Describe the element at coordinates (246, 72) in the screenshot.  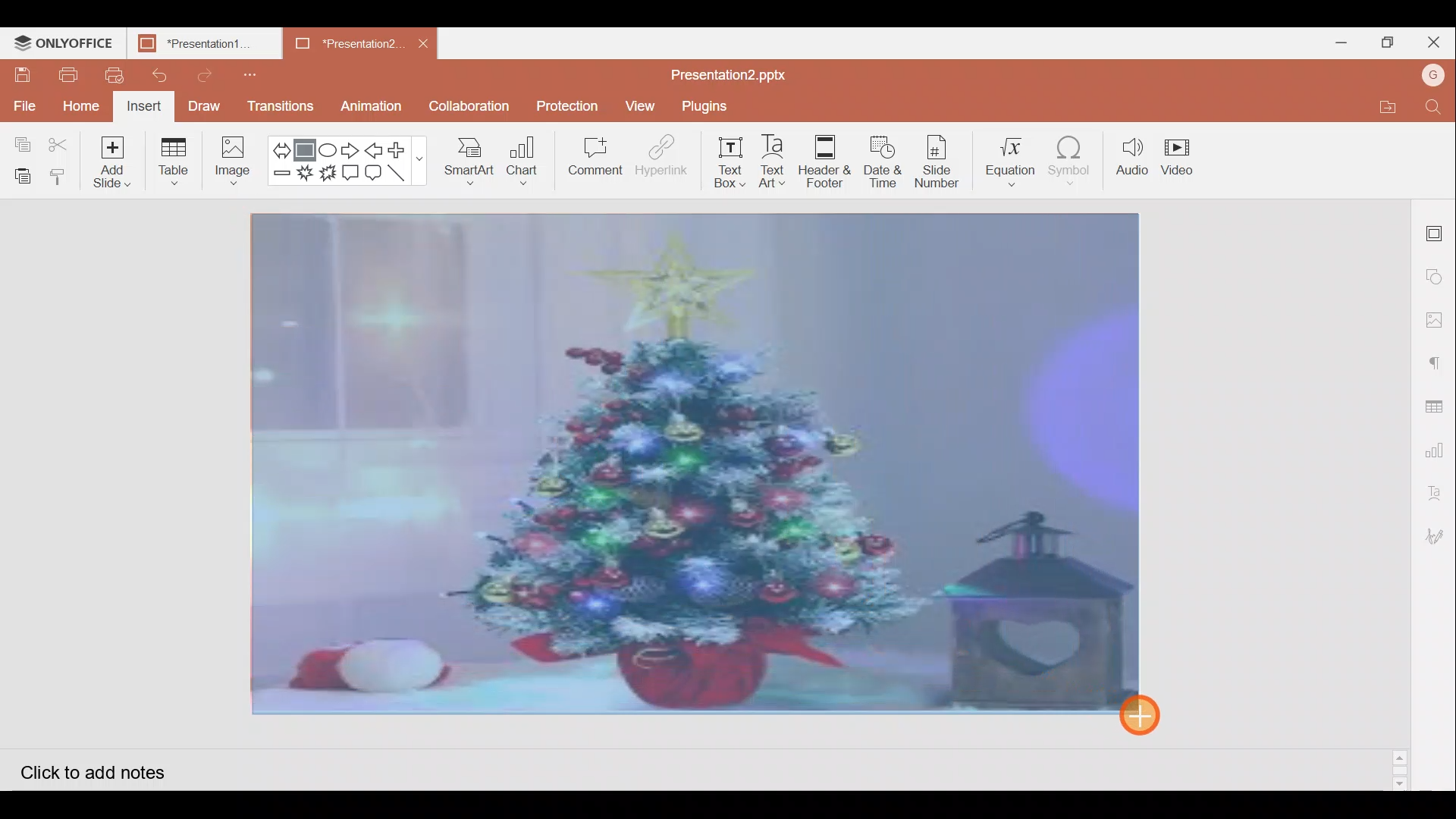
I see `Customize quick access toolbar` at that location.